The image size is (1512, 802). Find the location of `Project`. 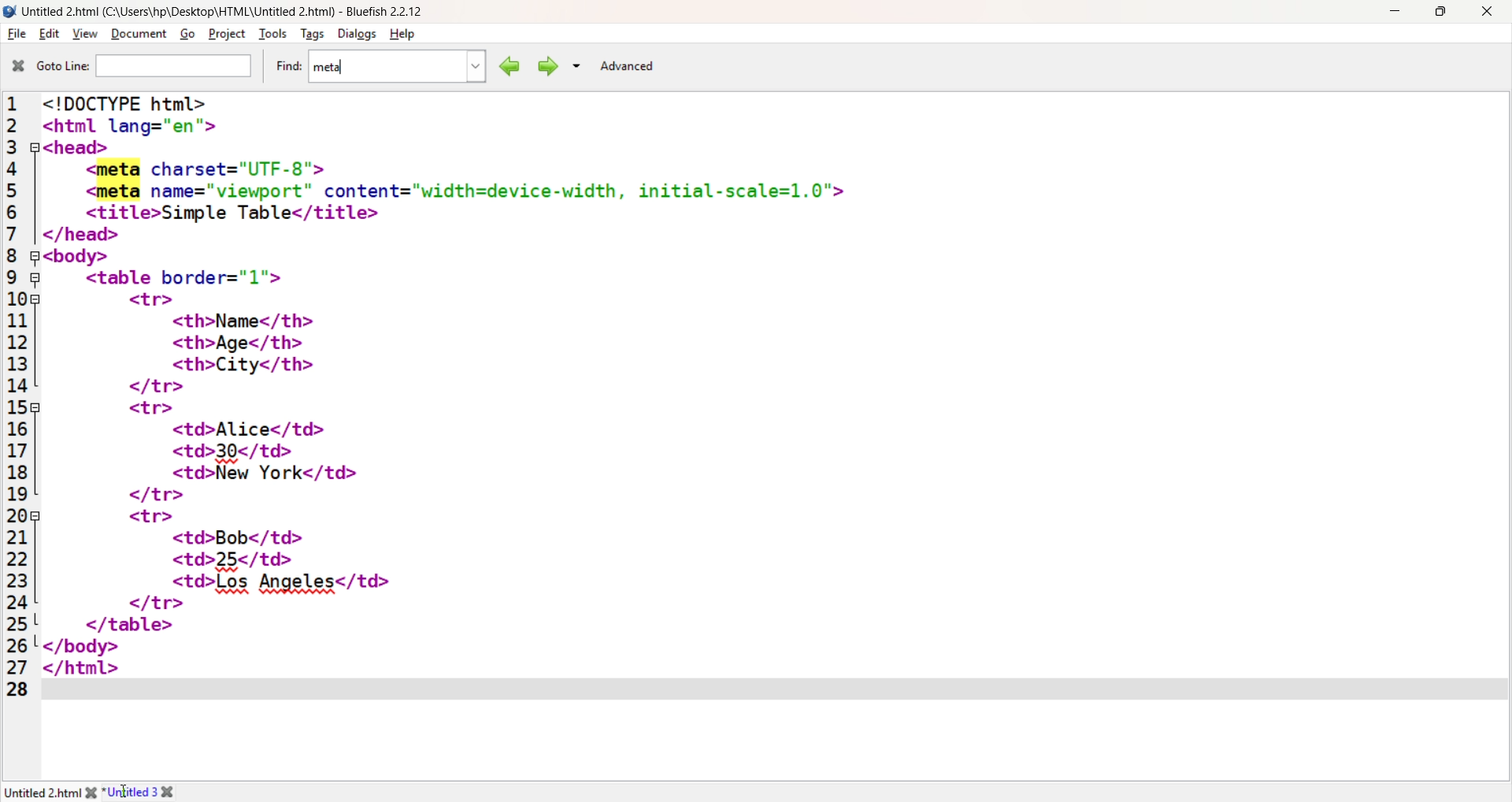

Project is located at coordinates (225, 33).